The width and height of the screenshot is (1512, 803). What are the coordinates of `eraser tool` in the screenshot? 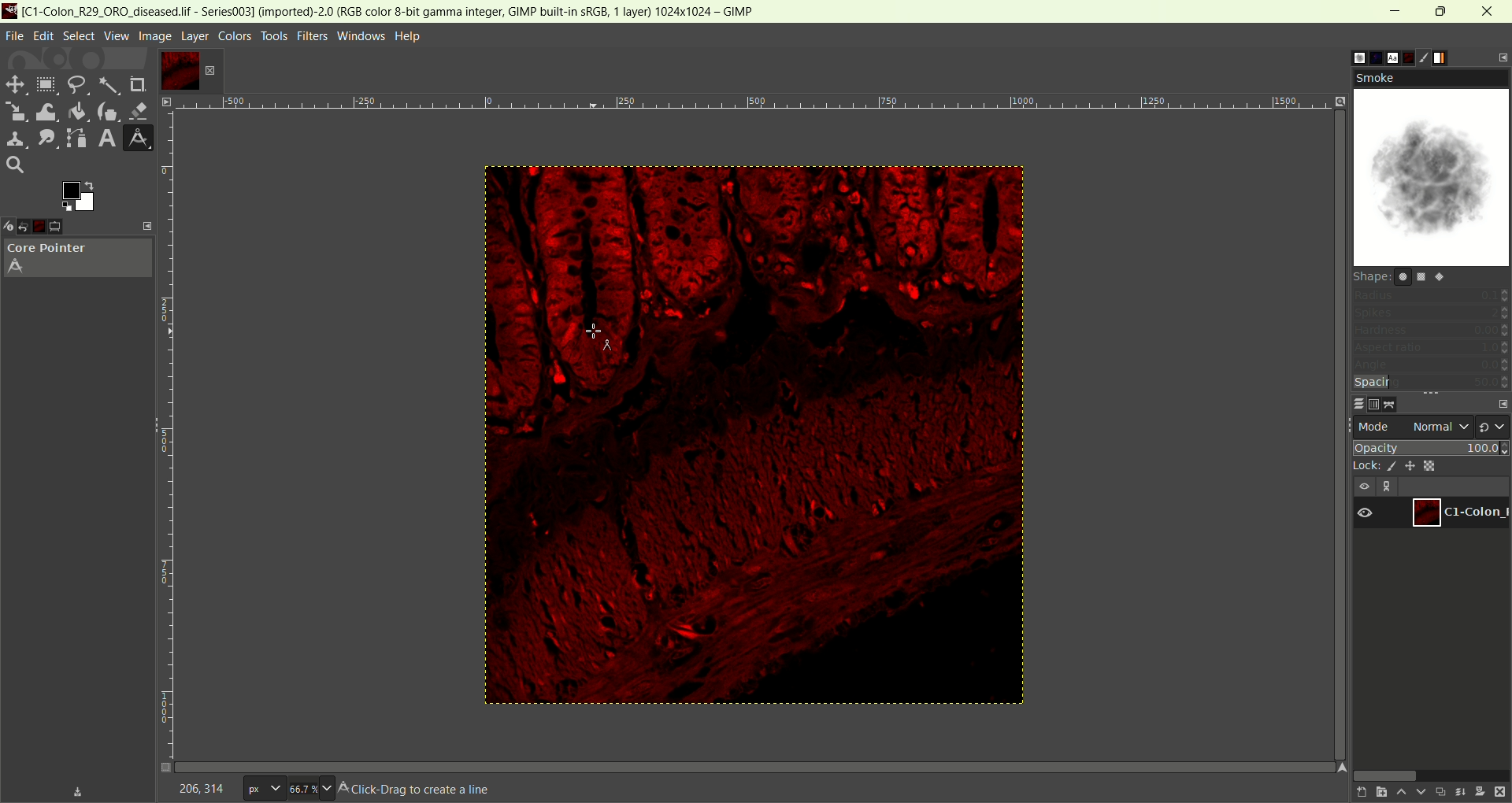 It's located at (141, 109).